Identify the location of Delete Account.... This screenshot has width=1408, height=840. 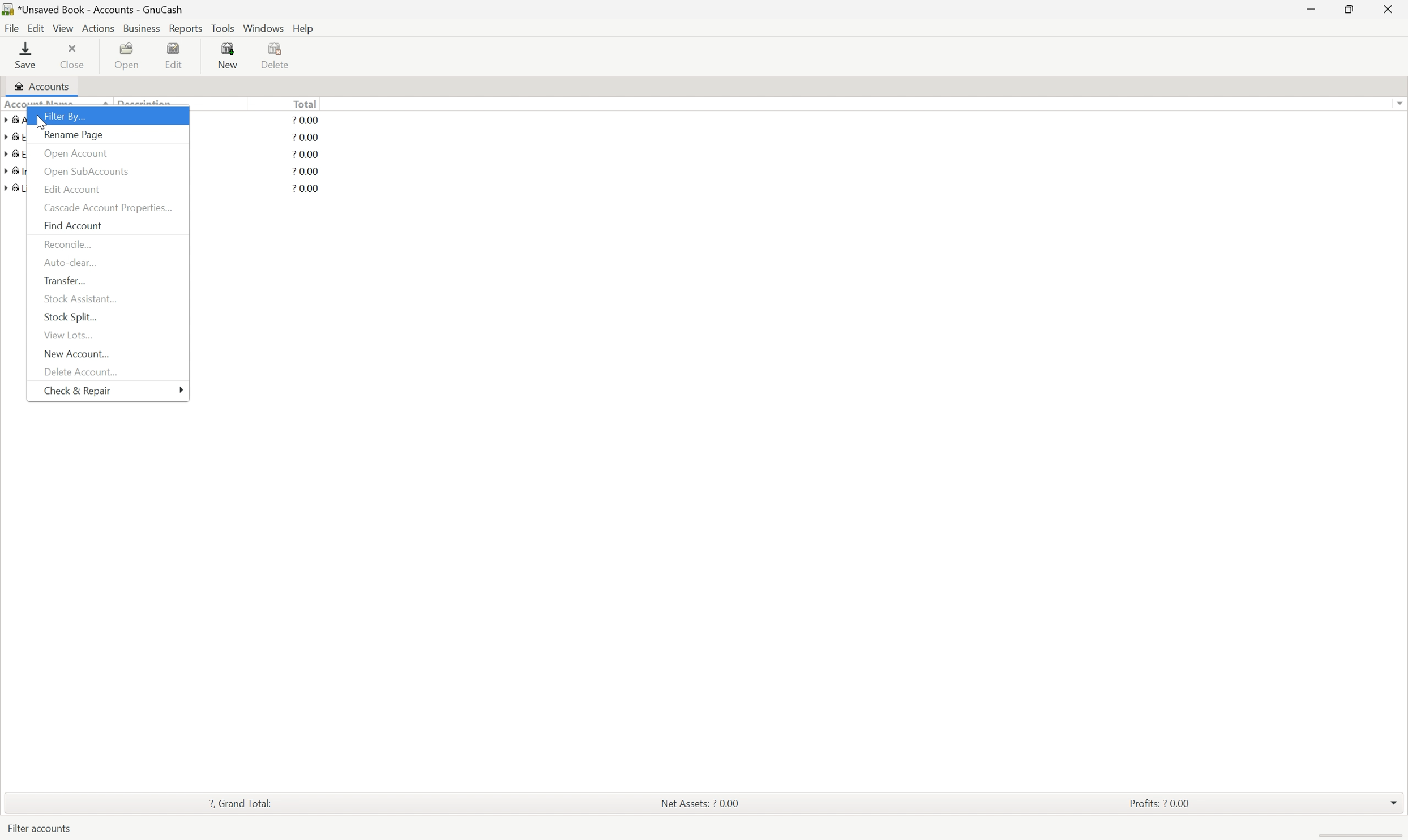
(79, 371).